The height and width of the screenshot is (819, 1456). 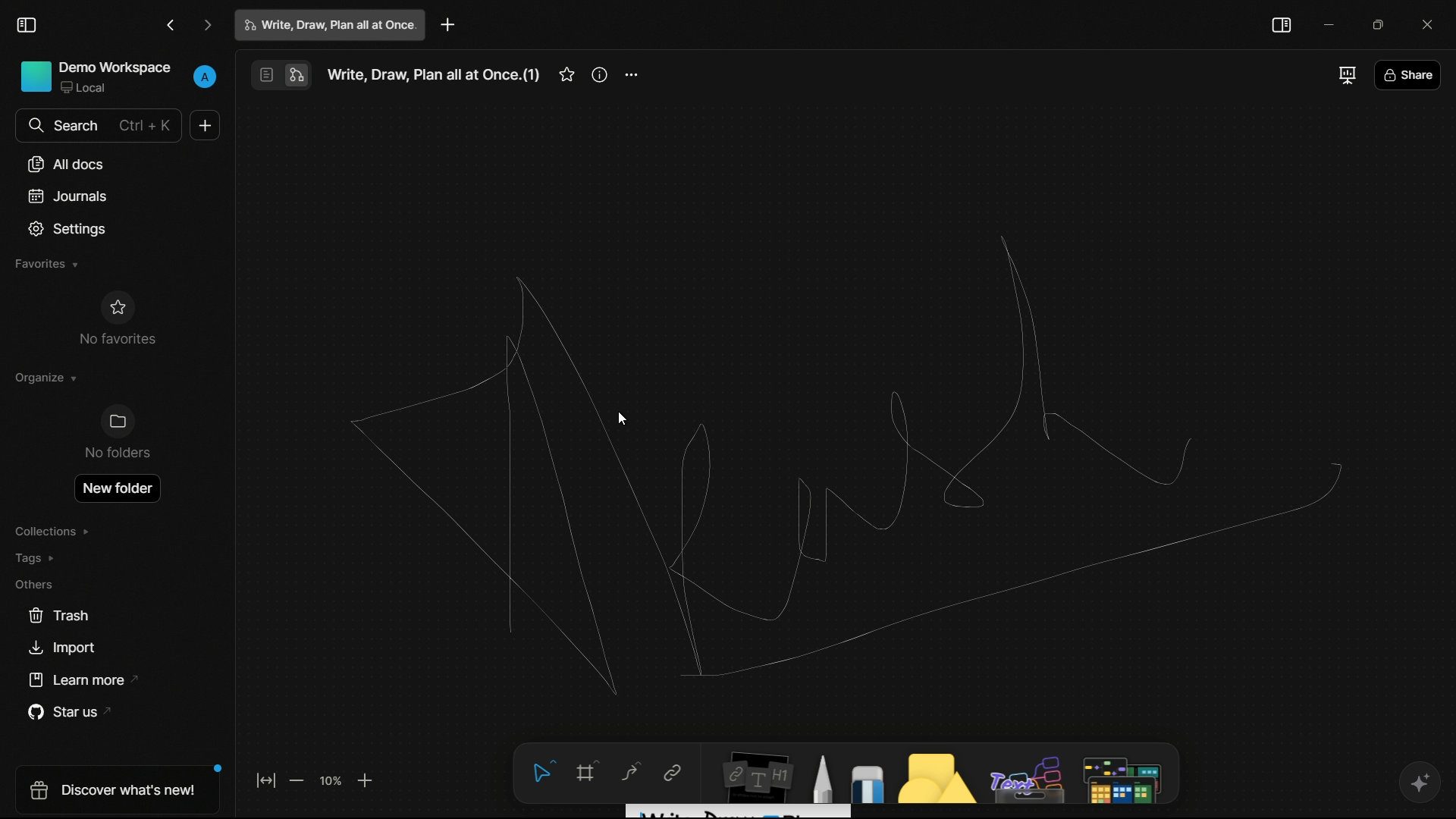 What do you see at coordinates (115, 489) in the screenshot?
I see `open new folder` at bounding box center [115, 489].